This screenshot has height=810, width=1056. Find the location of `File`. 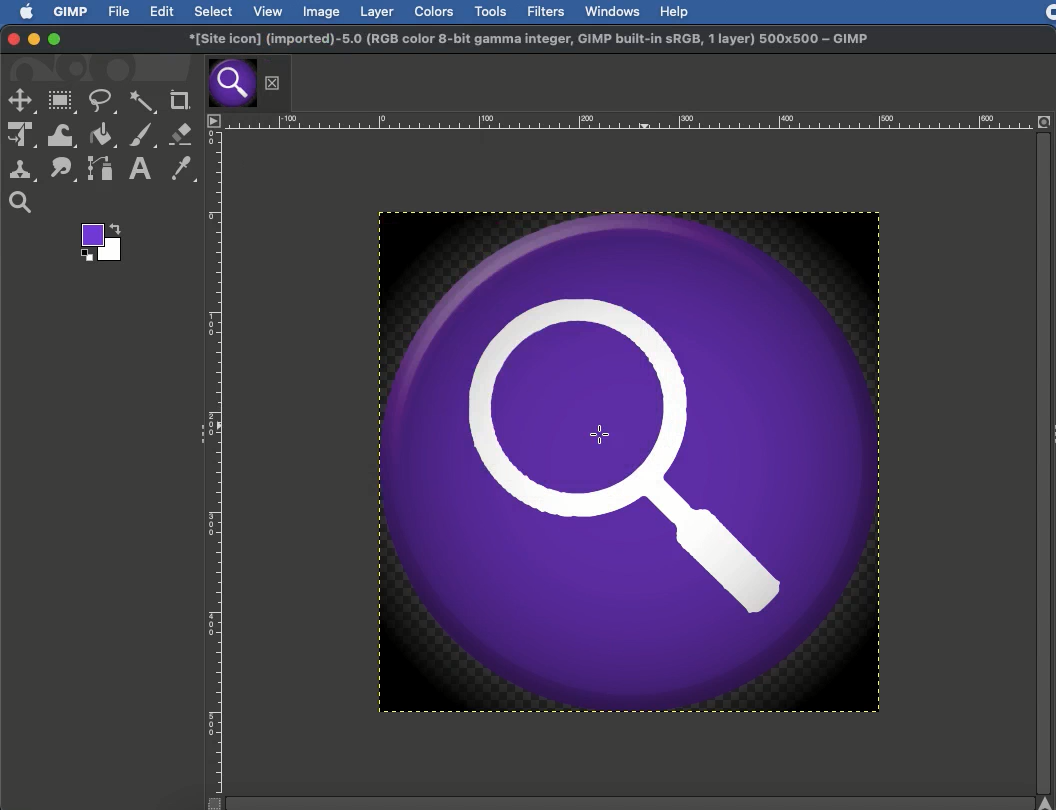

File is located at coordinates (120, 12).